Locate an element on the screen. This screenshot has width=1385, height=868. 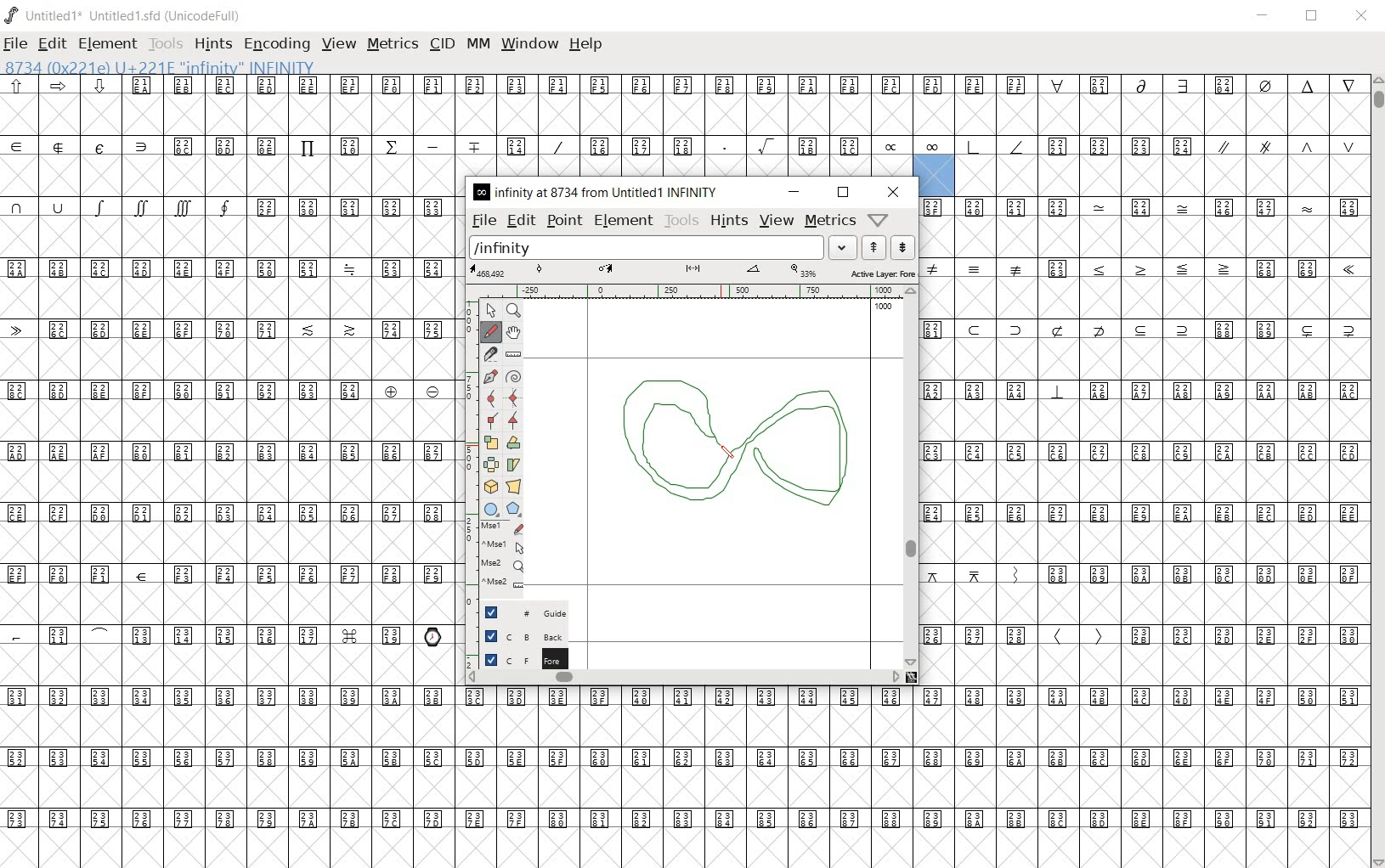
measure a distance, angle between points is located at coordinates (512, 353).